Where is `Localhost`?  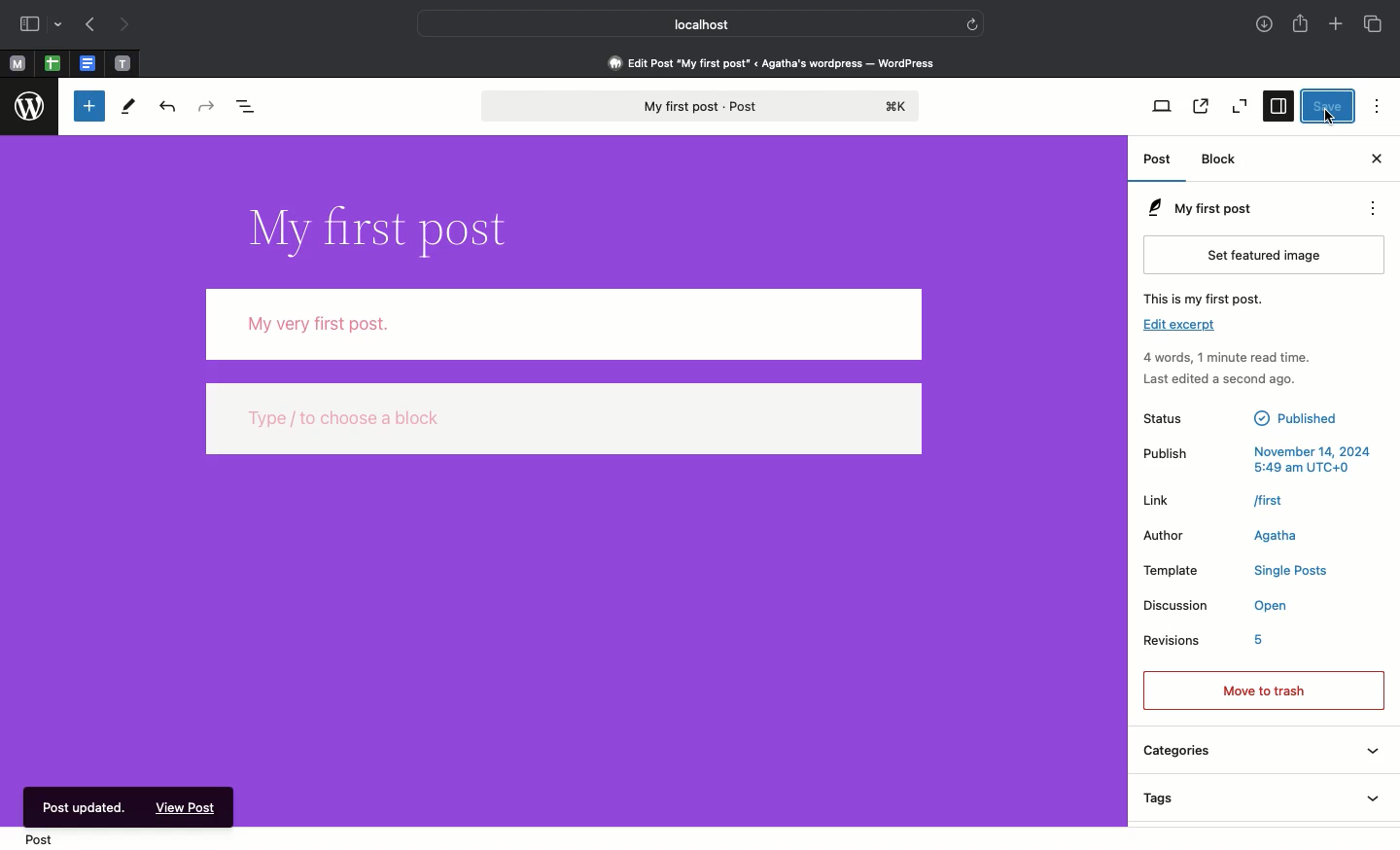 Localhost is located at coordinates (687, 24).